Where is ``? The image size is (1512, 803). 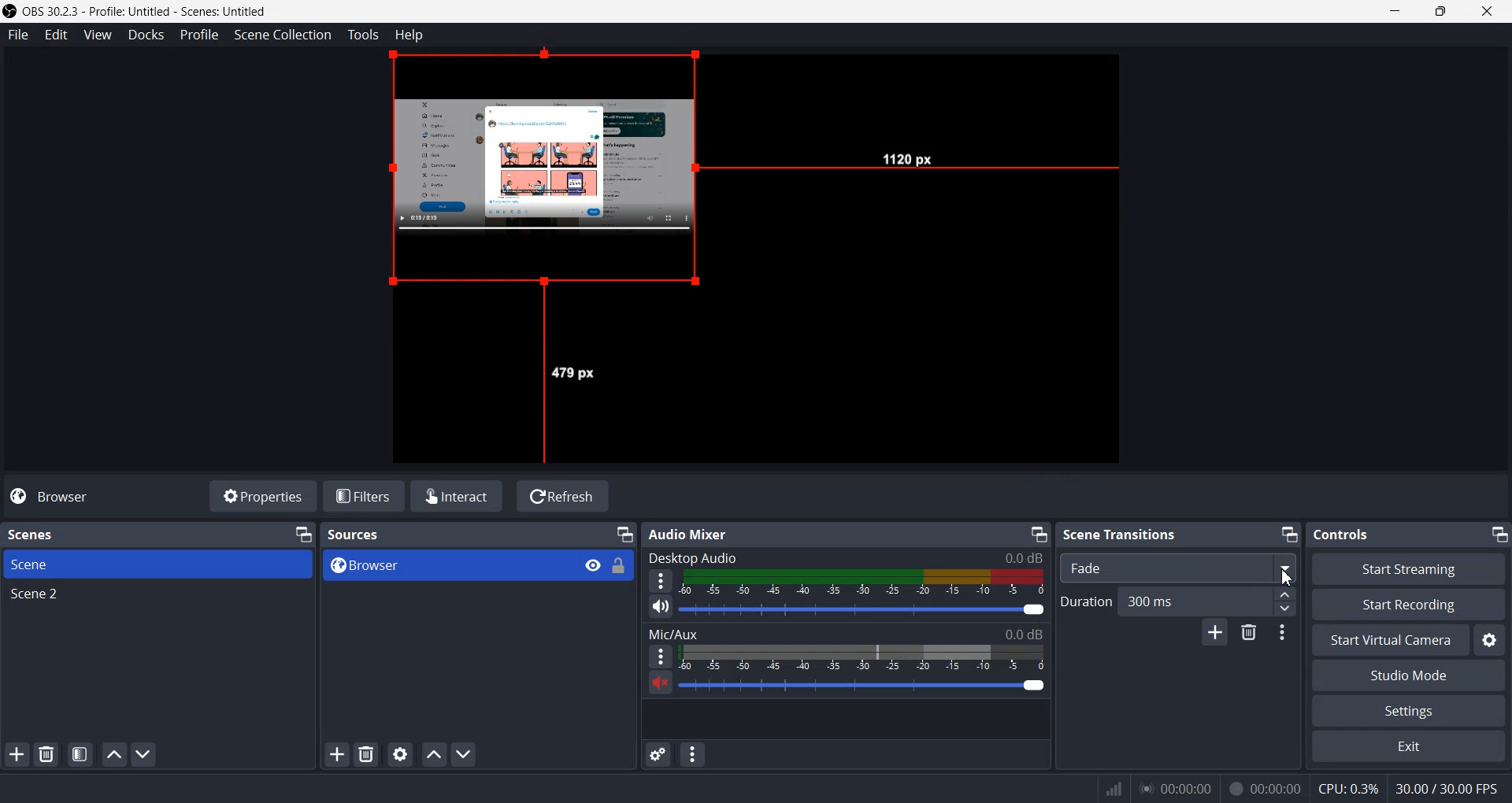
 is located at coordinates (1288, 577).